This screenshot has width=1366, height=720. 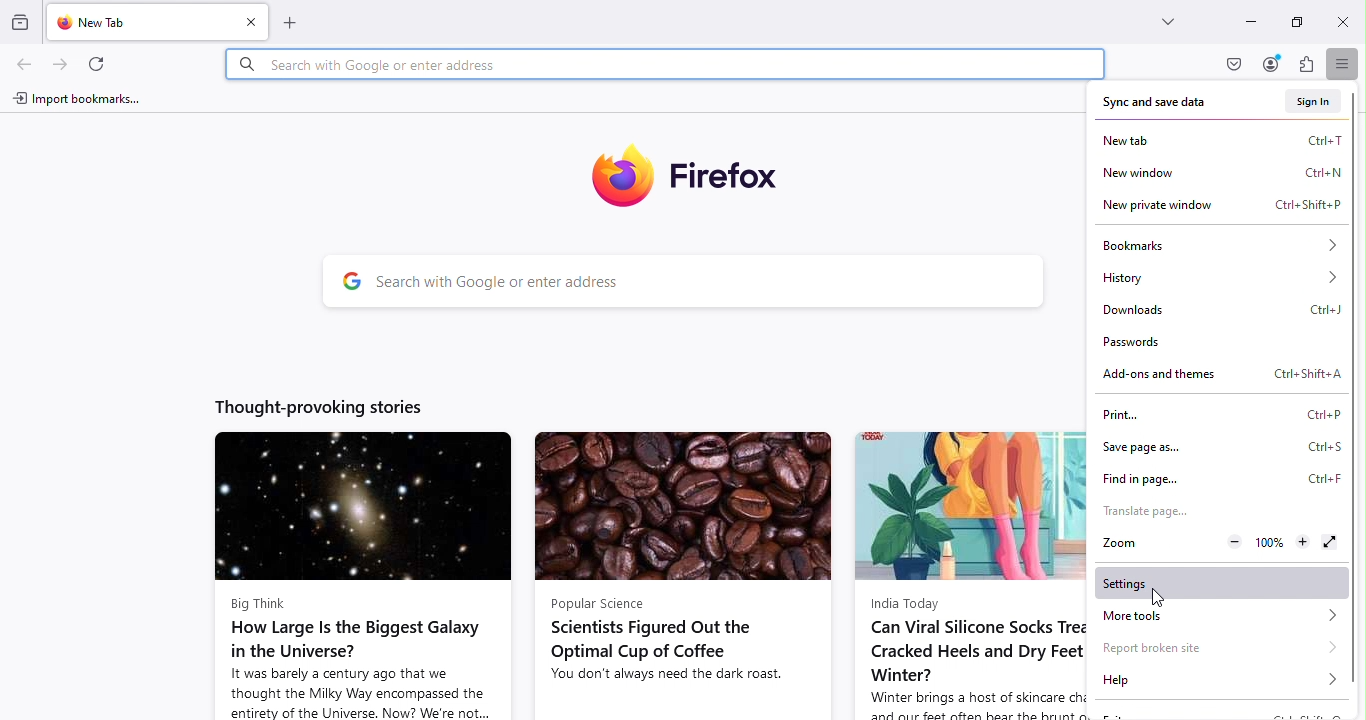 What do you see at coordinates (129, 23) in the screenshot?
I see `New tab` at bounding box center [129, 23].